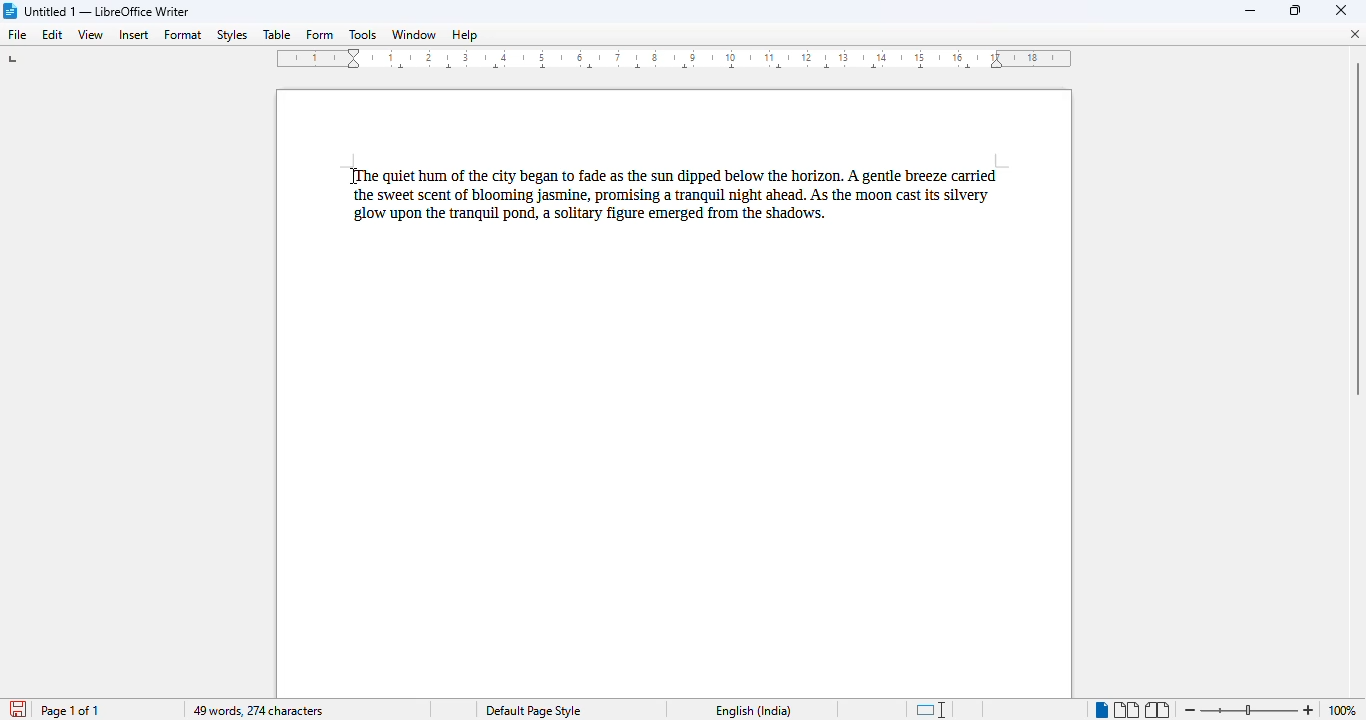 Image resolution: width=1366 pixels, height=720 pixels. Describe the element at coordinates (753, 710) in the screenshot. I see `text language` at that location.